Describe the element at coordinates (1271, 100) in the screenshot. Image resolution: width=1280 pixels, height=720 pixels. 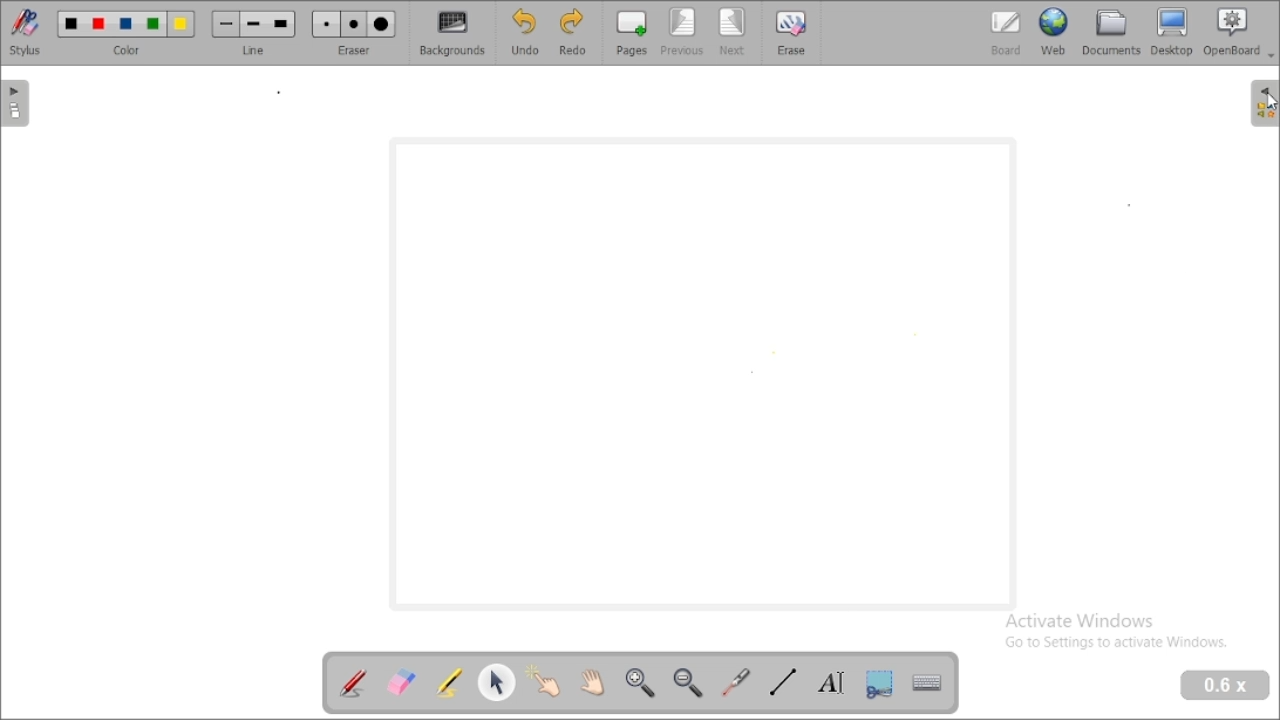
I see `cursor` at that location.